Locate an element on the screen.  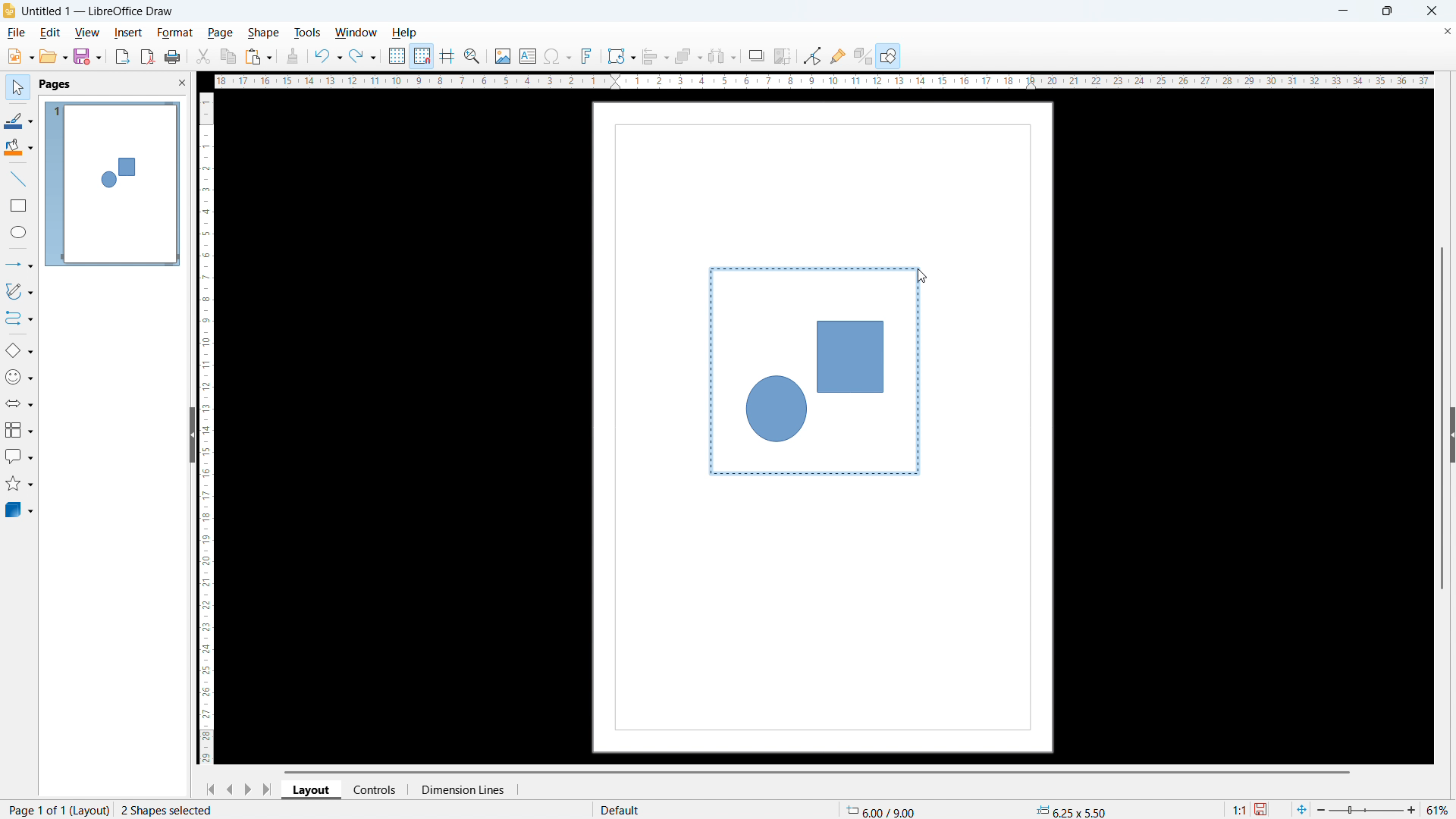
stars & banners is located at coordinates (20, 485).